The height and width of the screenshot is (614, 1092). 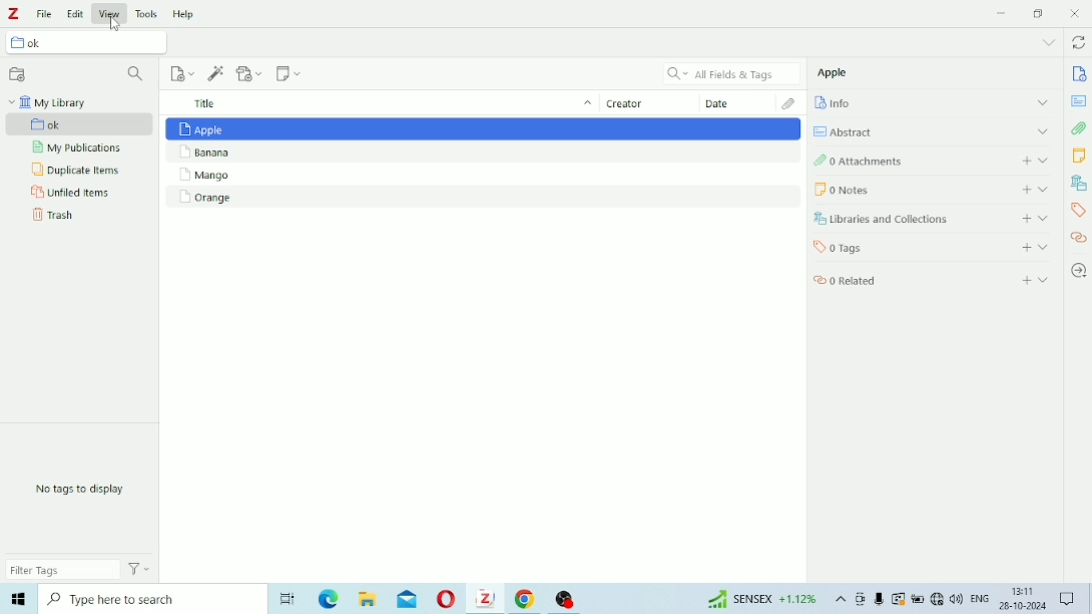 What do you see at coordinates (367, 601) in the screenshot?
I see `Documents Explorer` at bounding box center [367, 601].